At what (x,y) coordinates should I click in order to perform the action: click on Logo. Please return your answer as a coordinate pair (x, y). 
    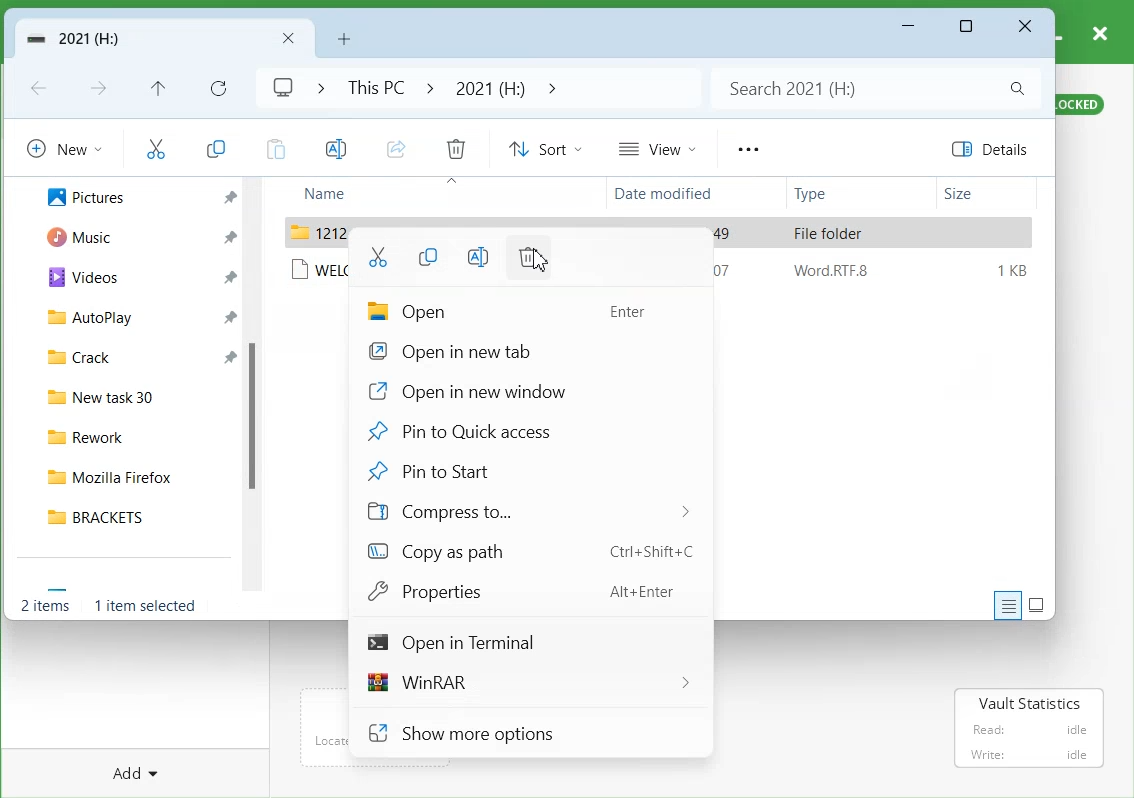
    Looking at the image, I should click on (282, 88).